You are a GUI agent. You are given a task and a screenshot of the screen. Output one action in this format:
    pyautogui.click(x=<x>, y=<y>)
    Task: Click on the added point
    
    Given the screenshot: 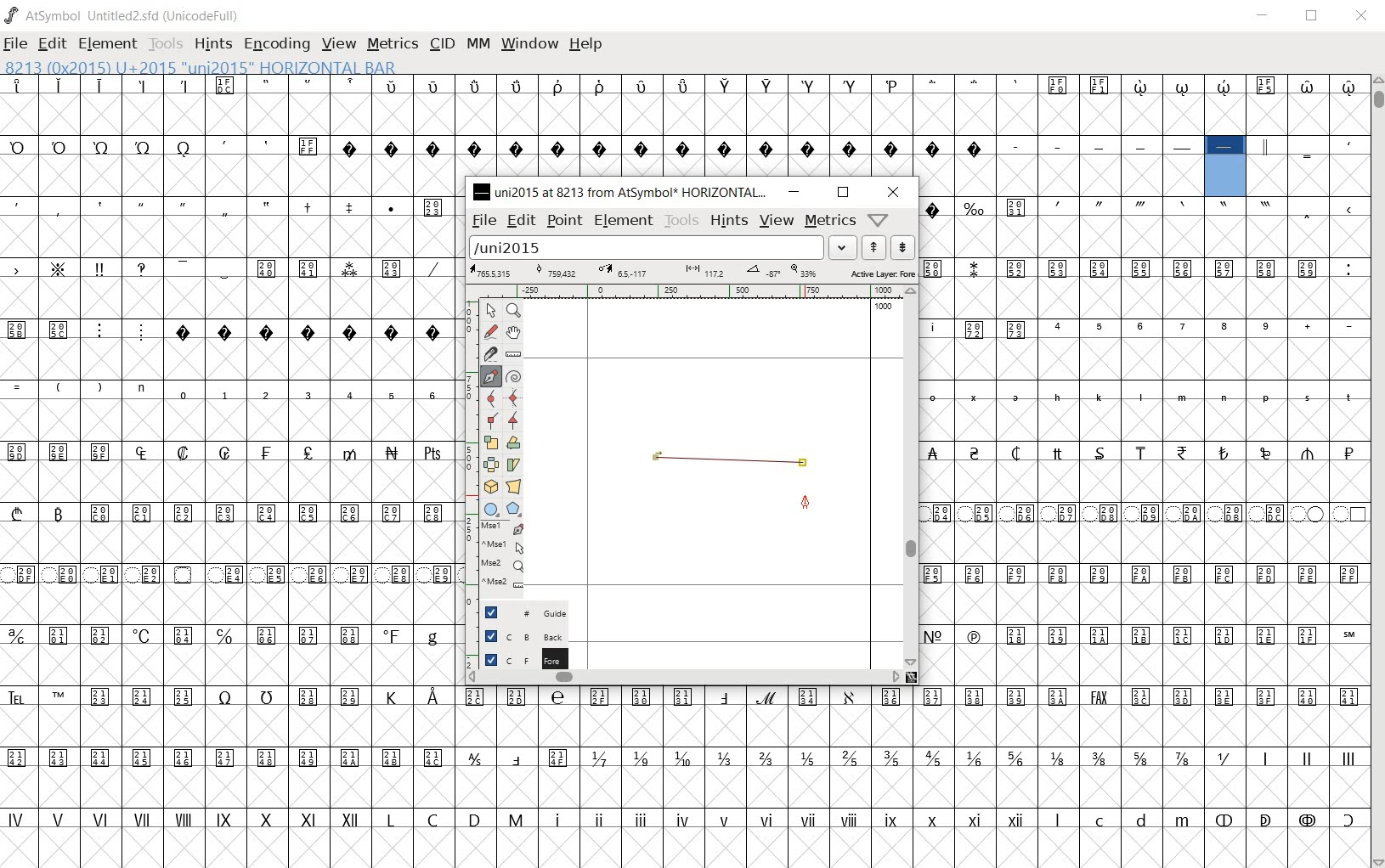 What is the action you would take?
    pyautogui.click(x=804, y=464)
    